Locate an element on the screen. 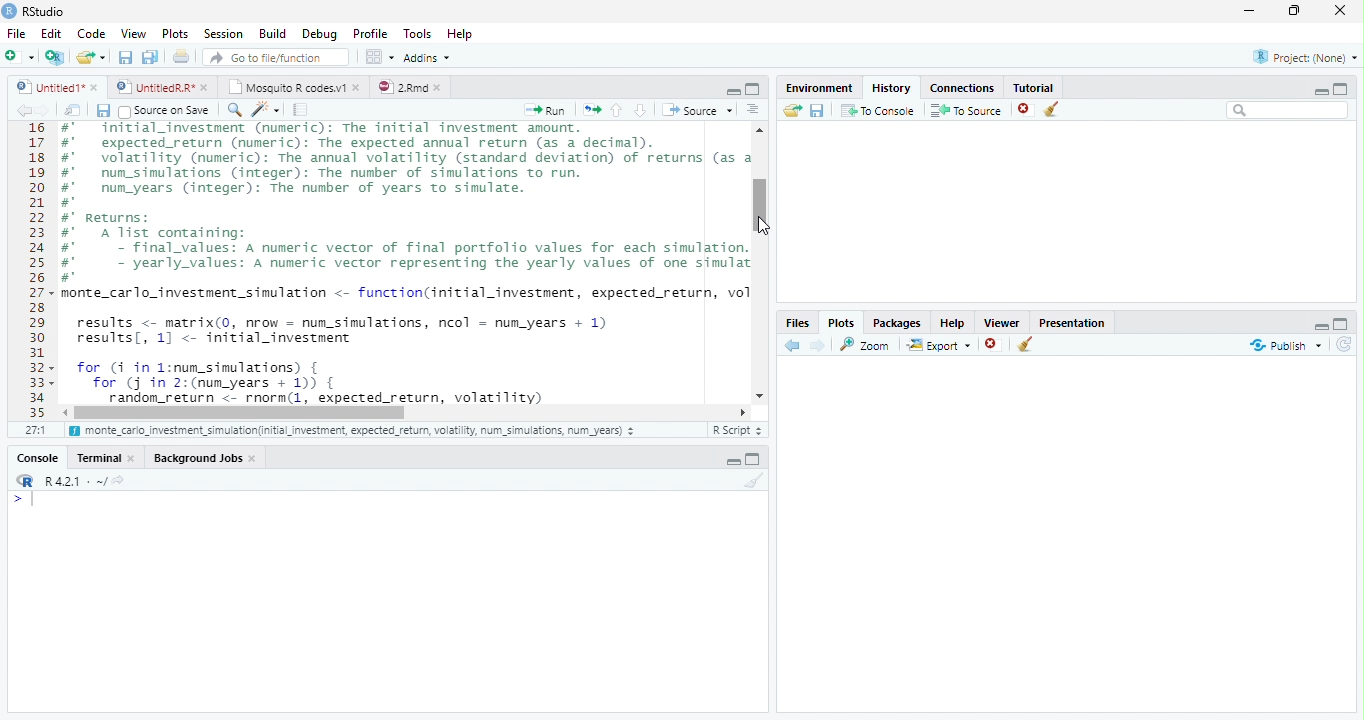 The height and width of the screenshot is (720, 1364). Session is located at coordinates (222, 33).